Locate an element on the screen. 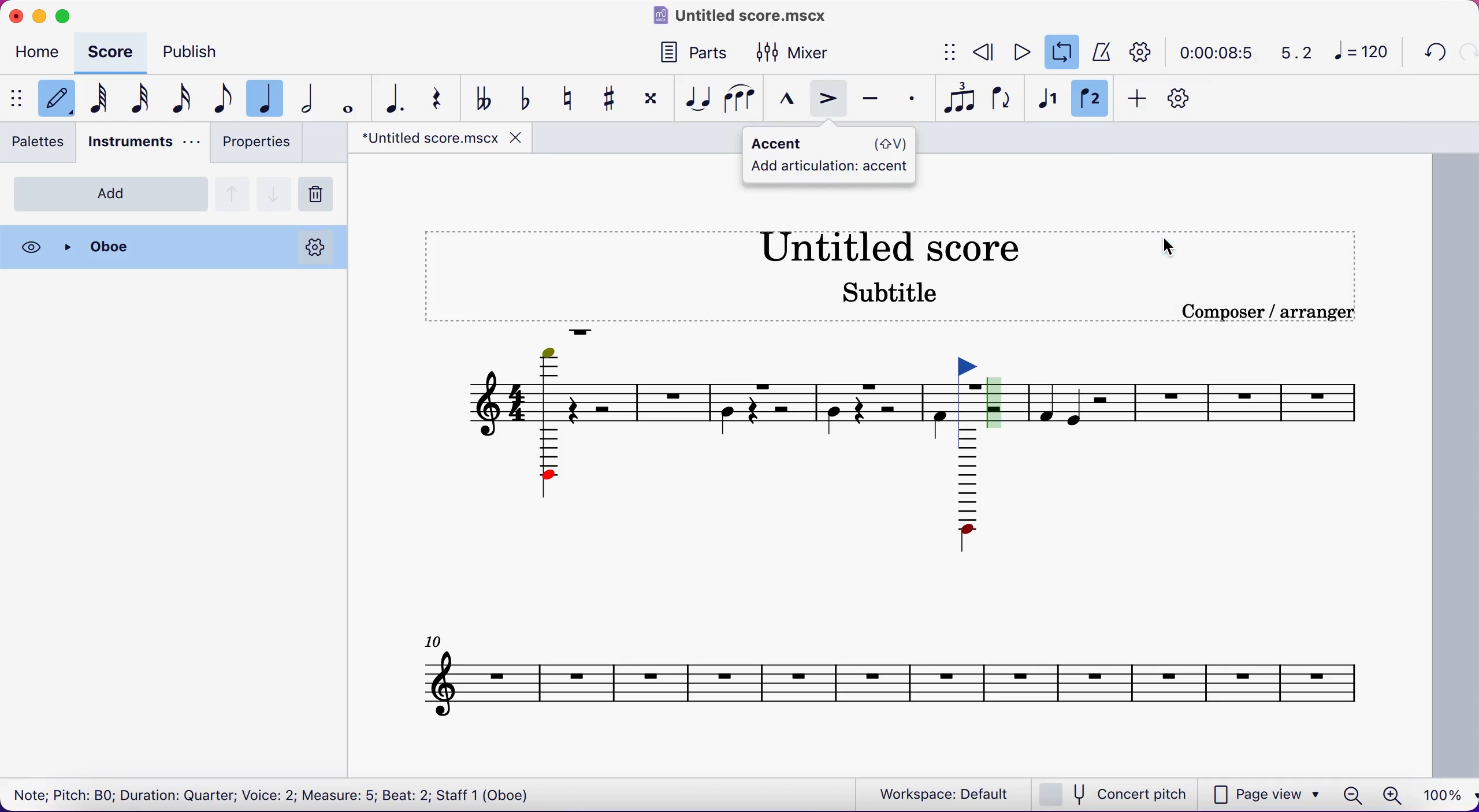 Image resolution: width=1479 pixels, height=812 pixels. palettes is located at coordinates (42, 145).